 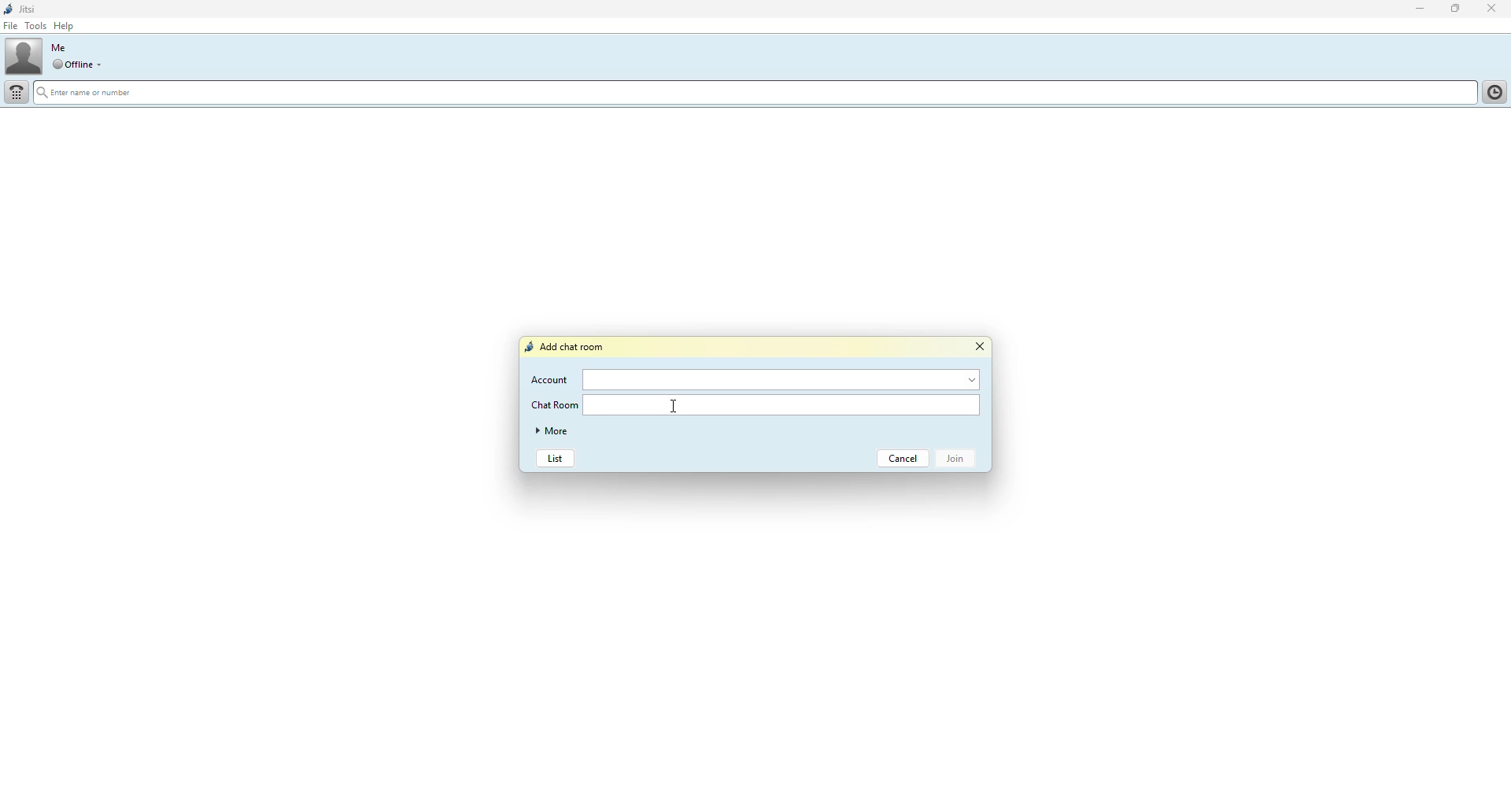 What do you see at coordinates (555, 432) in the screenshot?
I see `more` at bounding box center [555, 432].